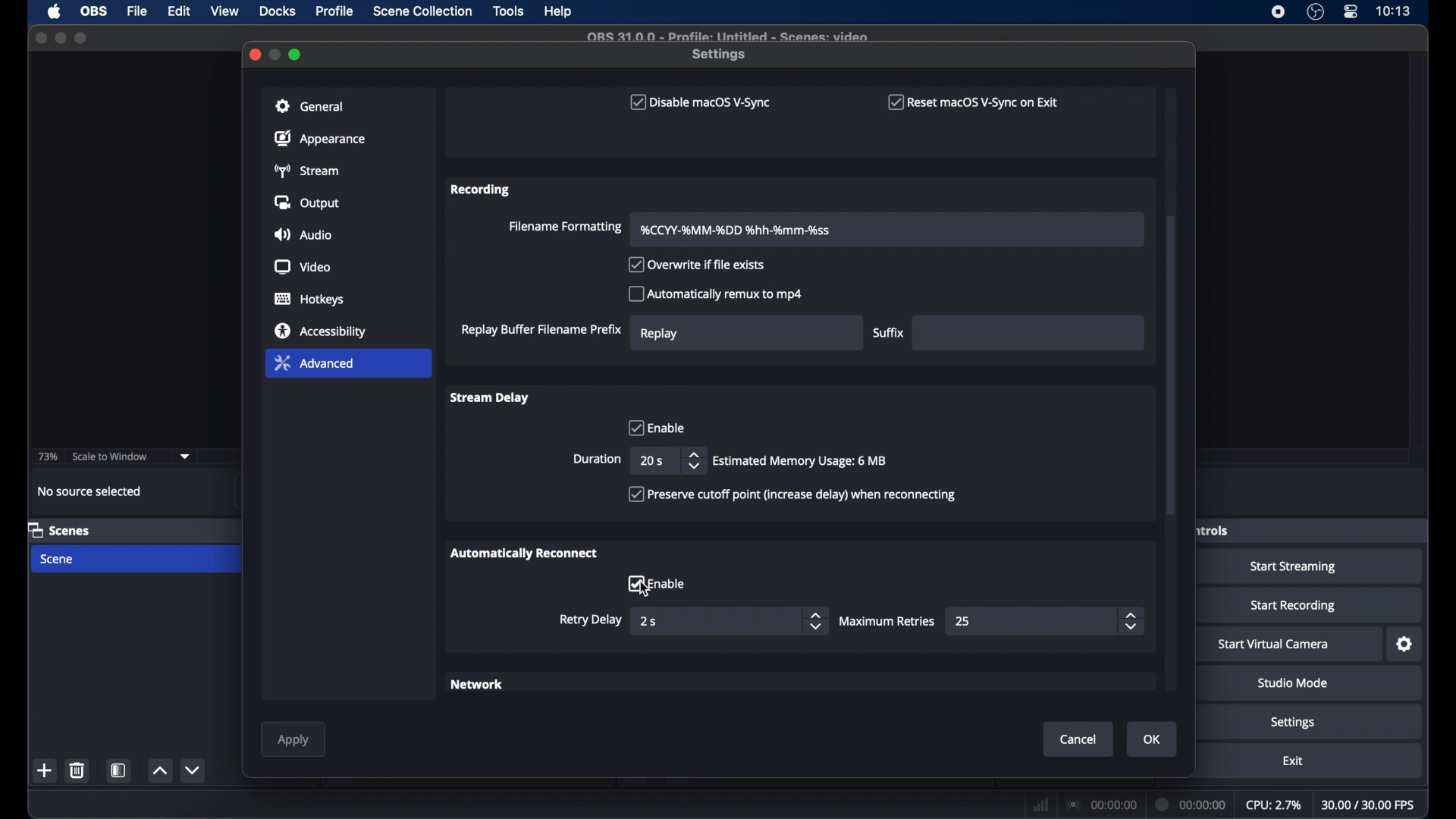 The width and height of the screenshot is (1456, 819). I want to click on screen recorder, so click(1277, 12).